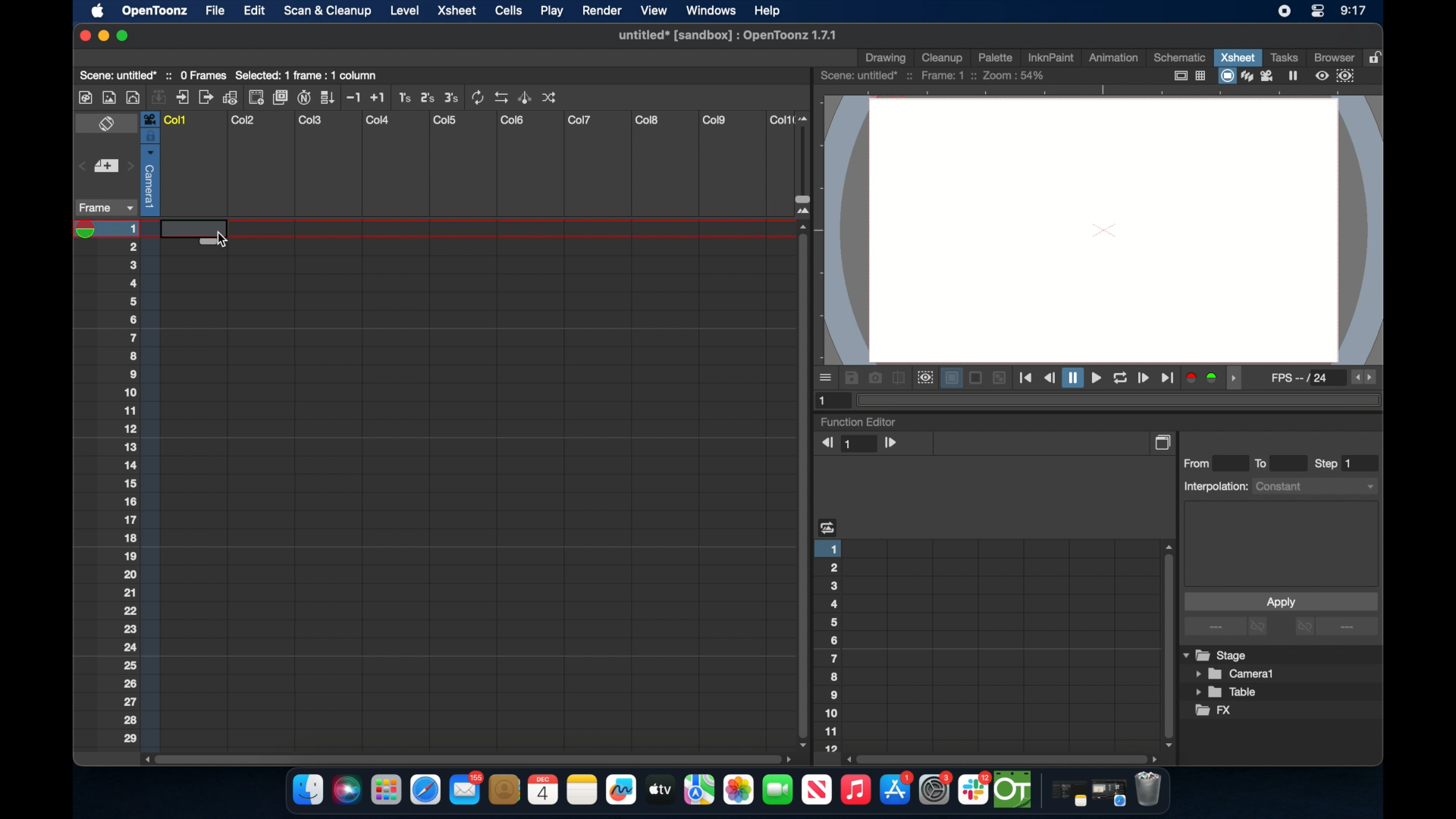  Describe the element at coordinates (1260, 76) in the screenshot. I see `view modes` at that location.